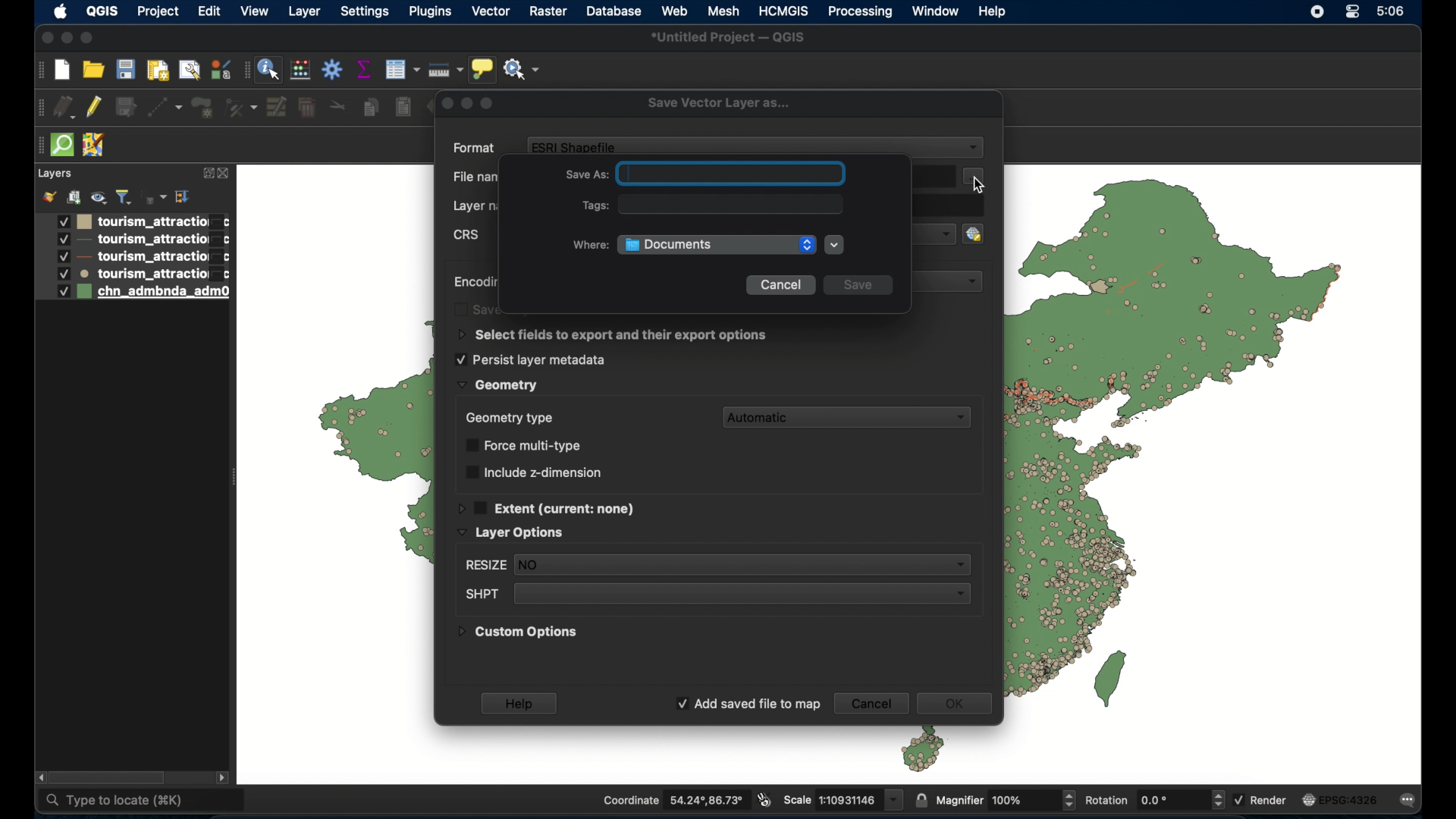 This screenshot has height=819, width=1456. I want to click on show map tips, so click(483, 69).